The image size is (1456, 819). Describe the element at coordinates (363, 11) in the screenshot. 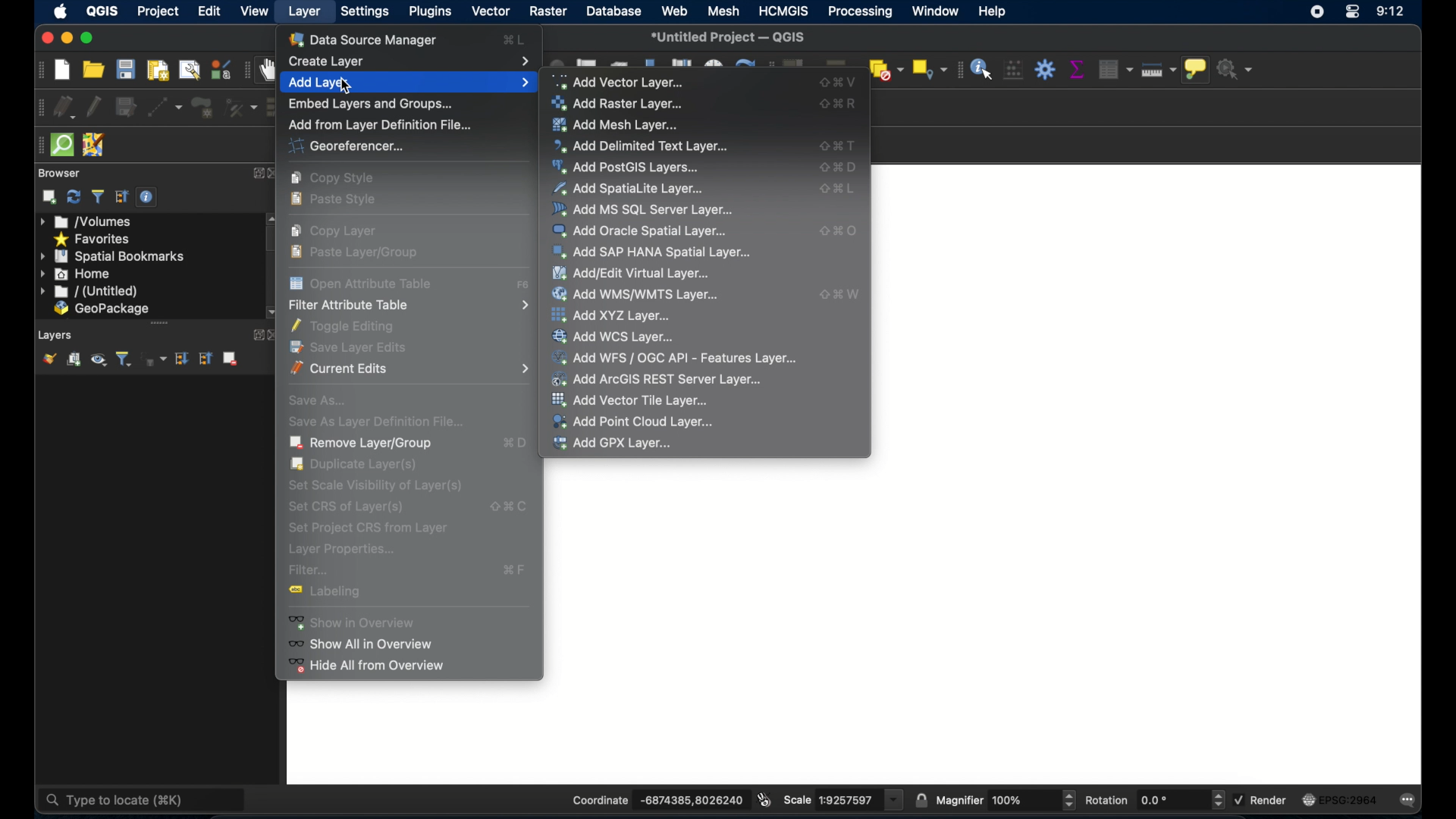

I see `settings` at that location.